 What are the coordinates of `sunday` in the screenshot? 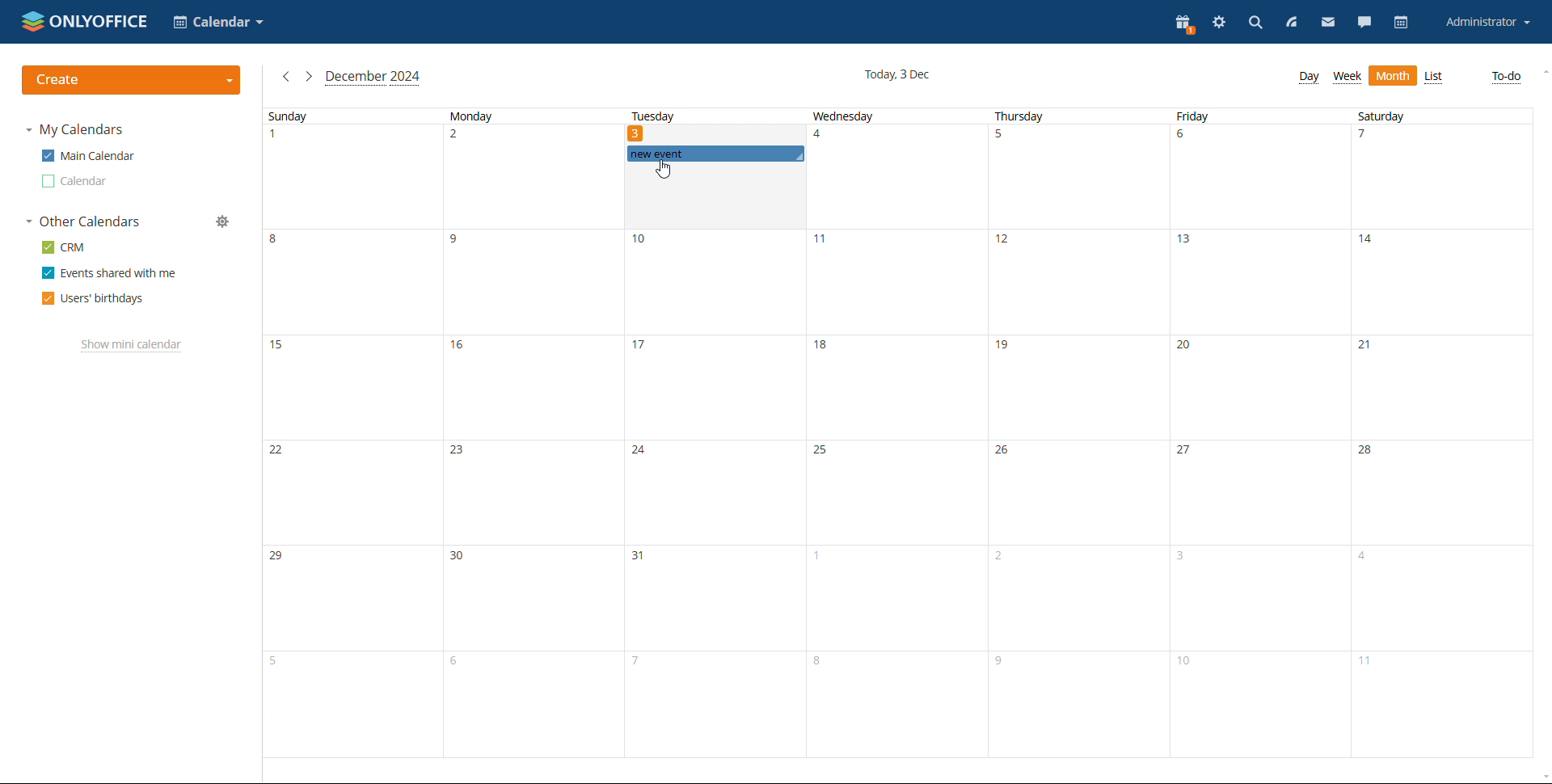 It's located at (348, 433).